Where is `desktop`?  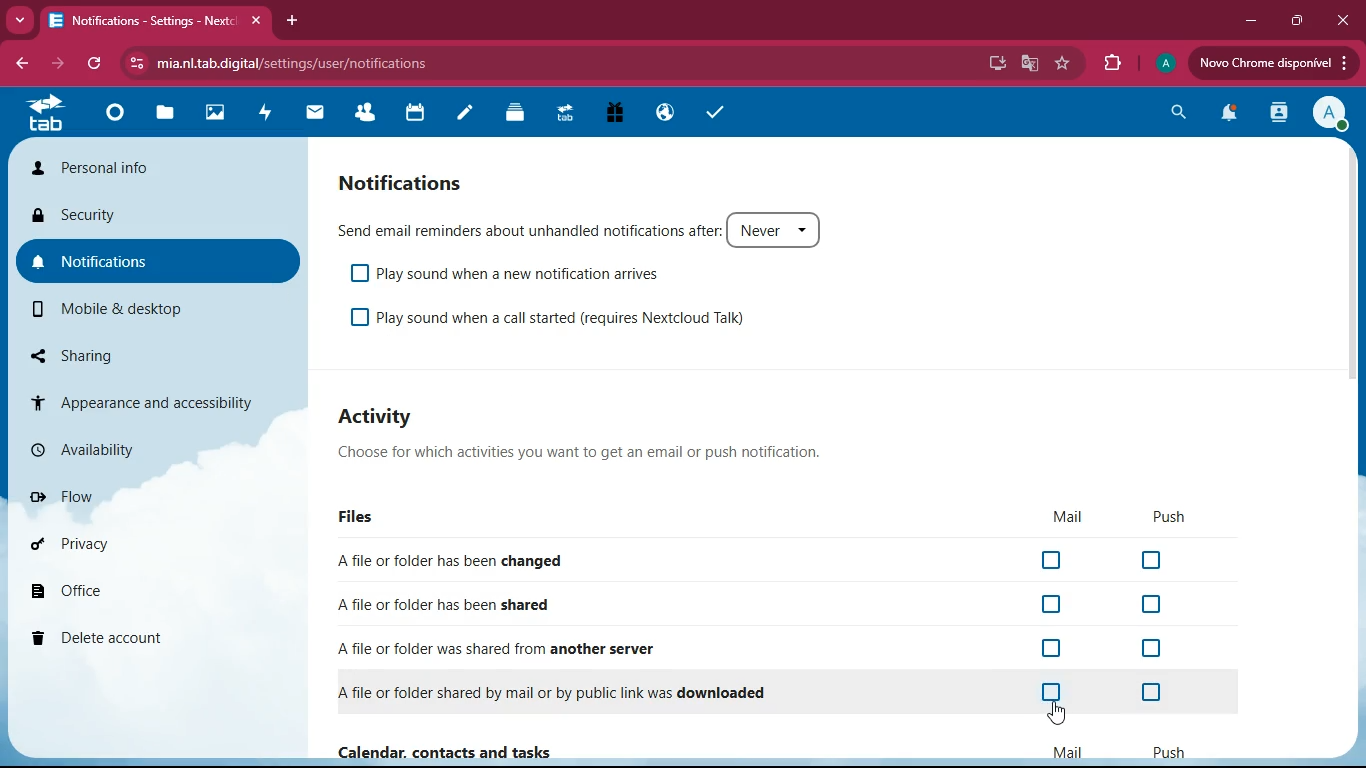
desktop is located at coordinates (995, 62).